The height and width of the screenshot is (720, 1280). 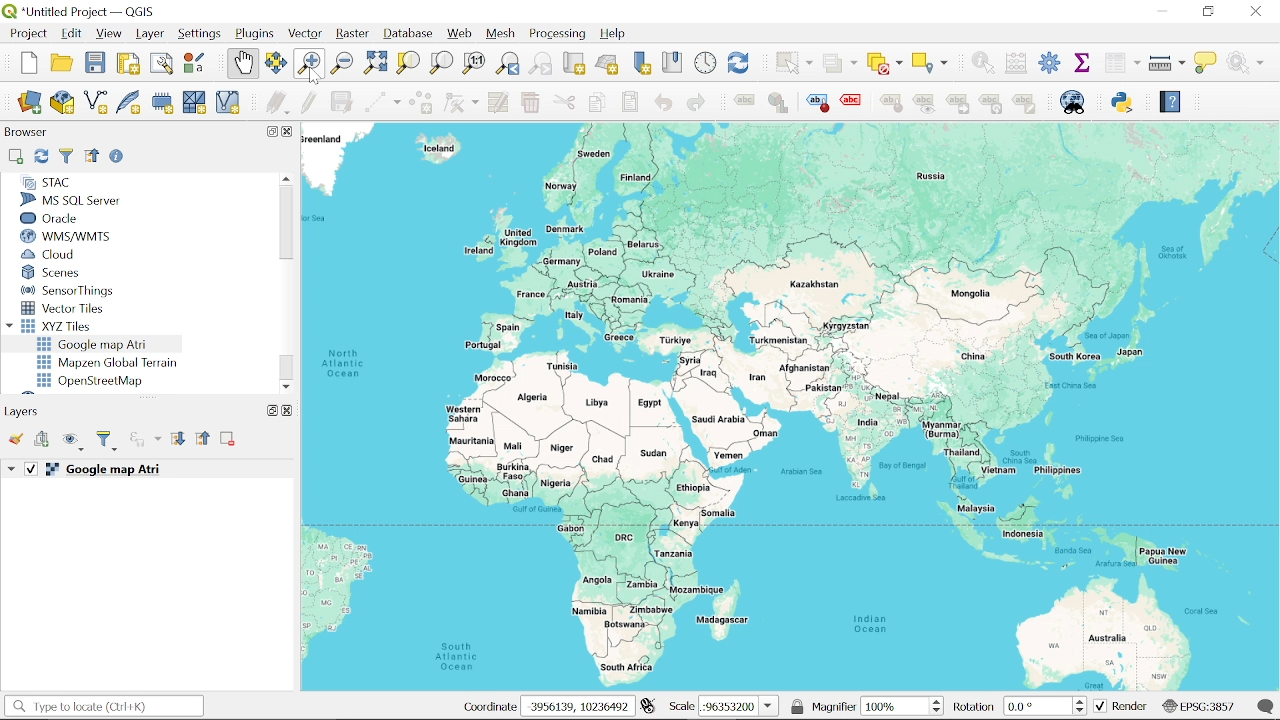 I want to click on Layer diagram options, so click(x=777, y=103).